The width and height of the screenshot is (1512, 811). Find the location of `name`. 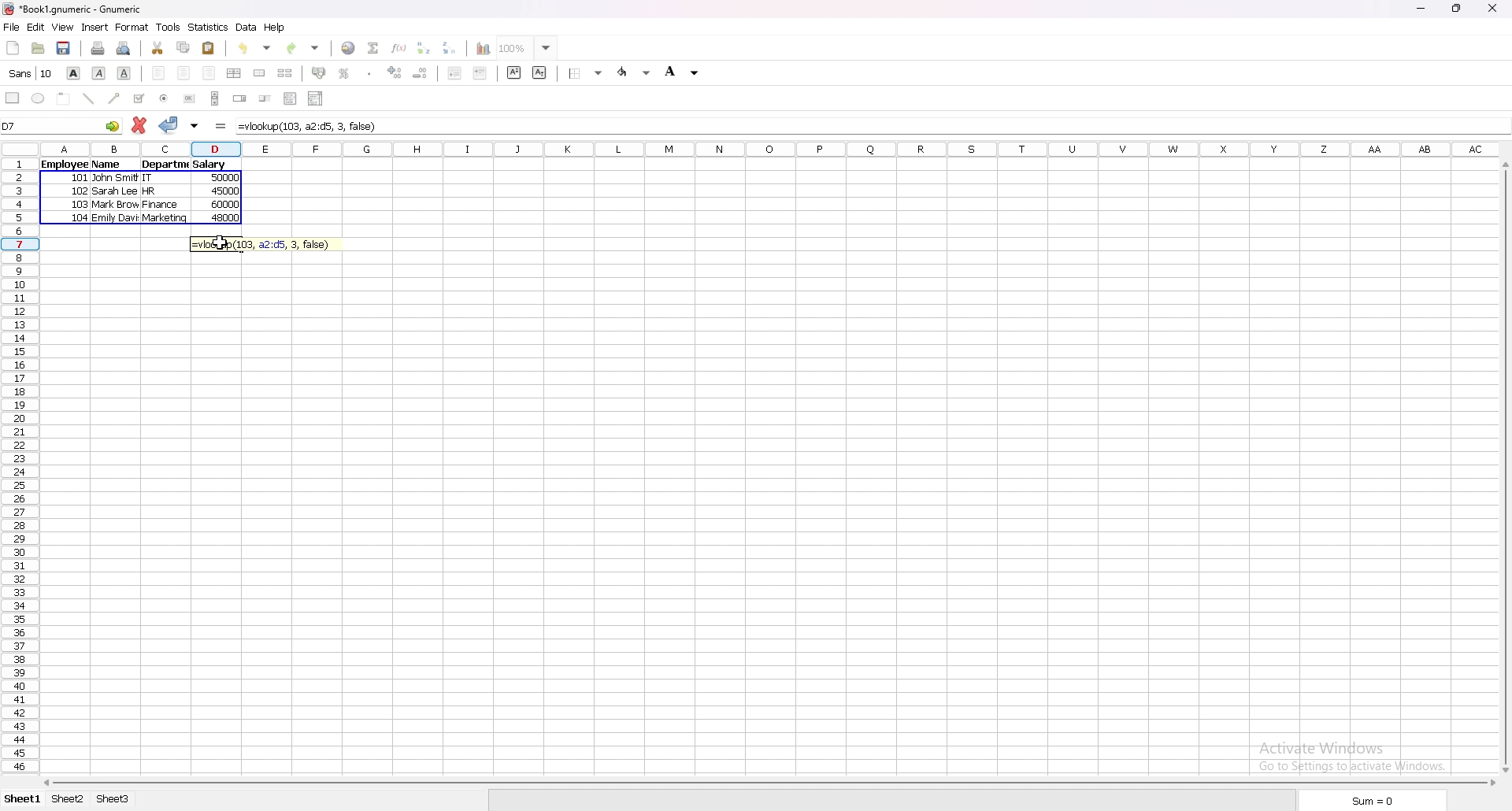

name is located at coordinates (109, 163).